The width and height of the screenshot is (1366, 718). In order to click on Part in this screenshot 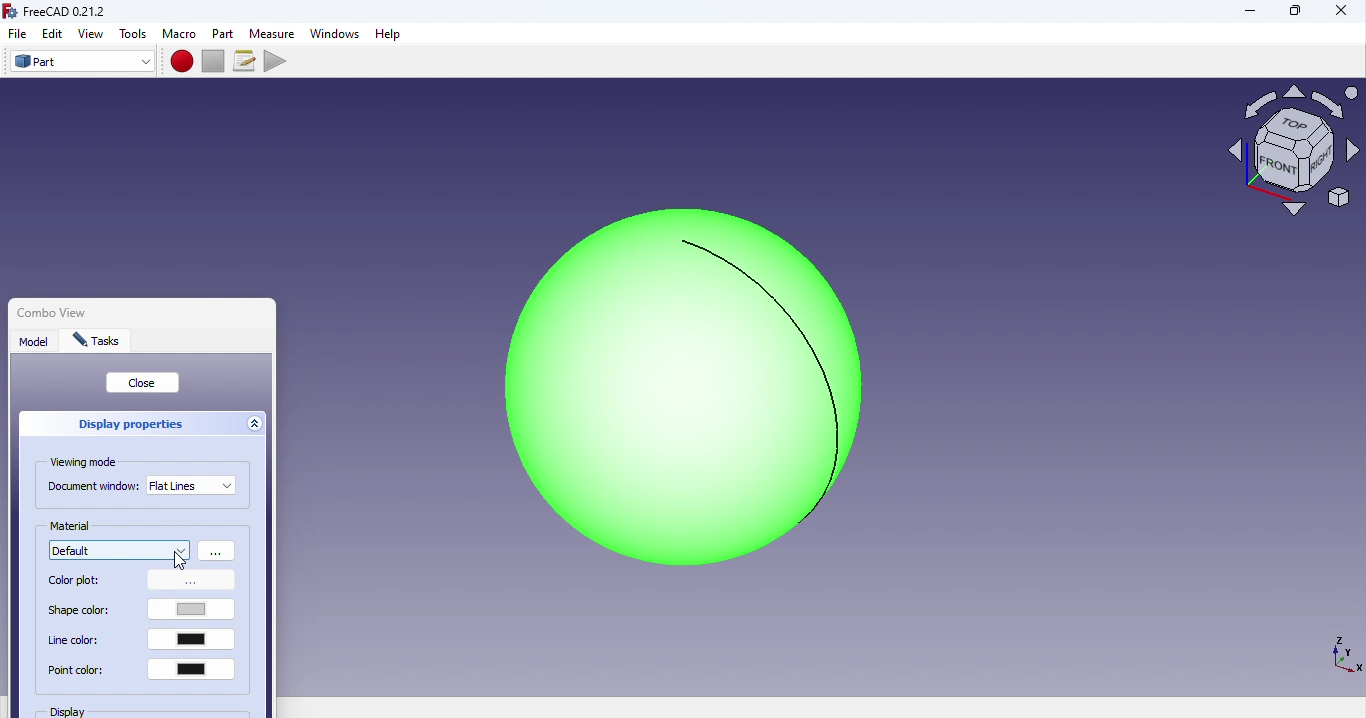, I will do `click(225, 33)`.